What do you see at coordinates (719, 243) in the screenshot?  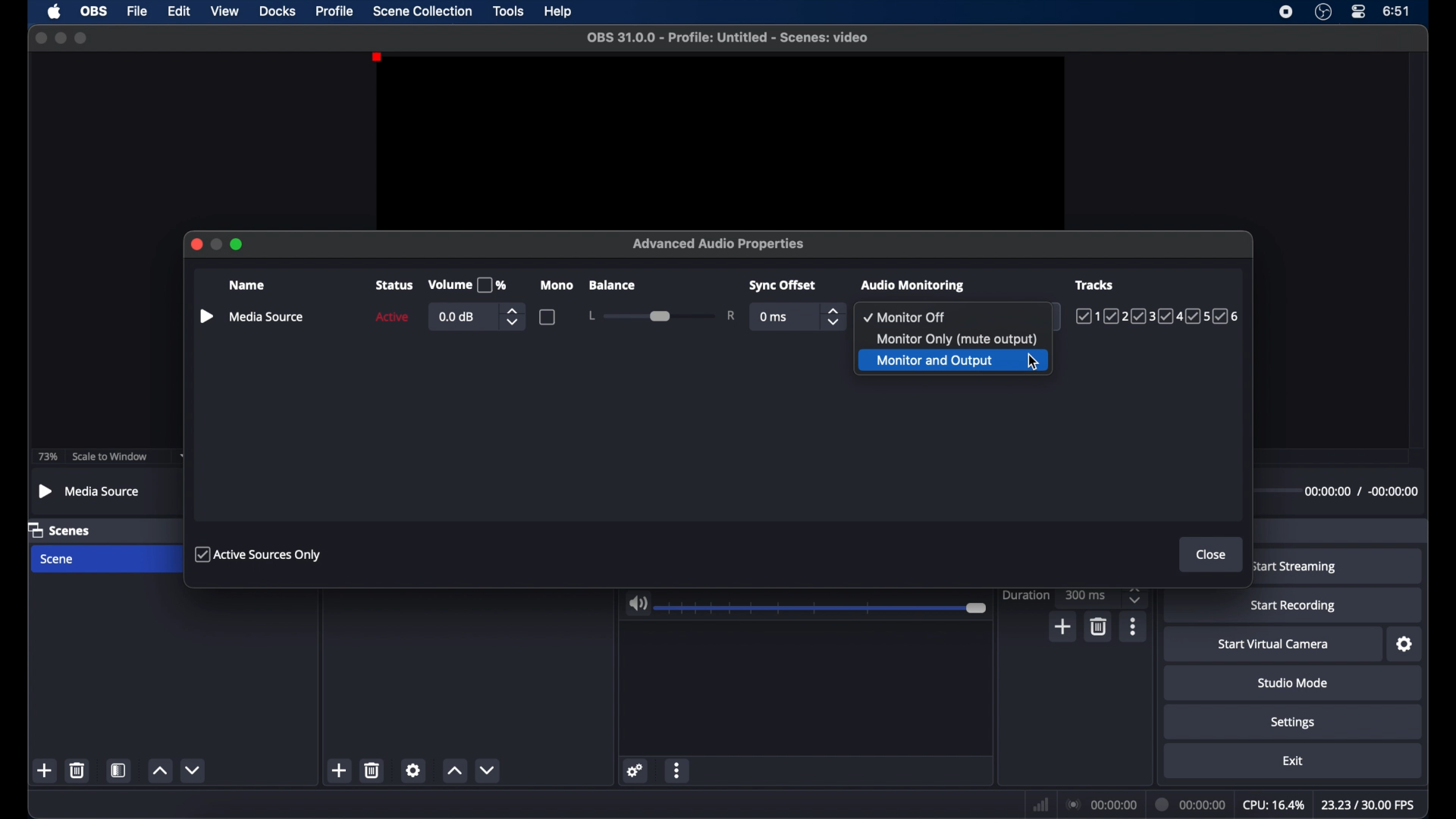 I see `advanced audio properties` at bounding box center [719, 243].